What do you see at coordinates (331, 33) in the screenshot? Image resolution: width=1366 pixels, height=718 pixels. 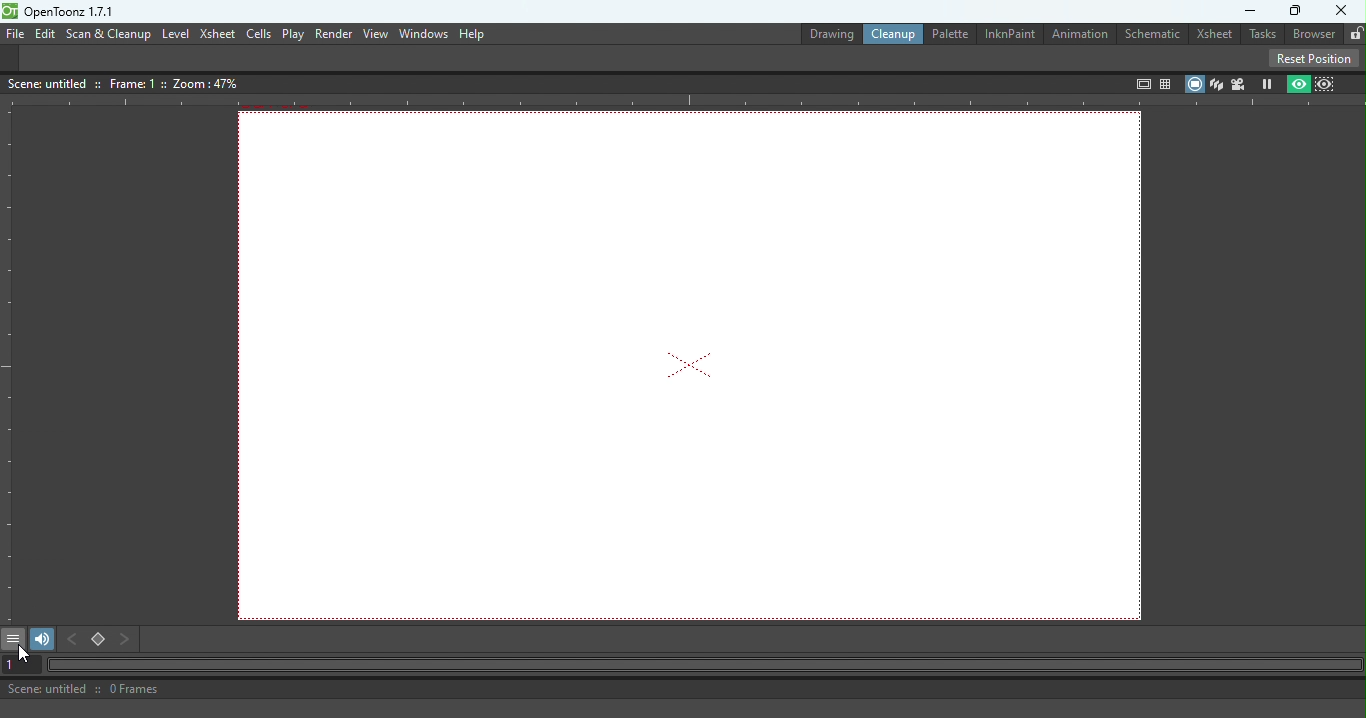 I see `Render` at bounding box center [331, 33].